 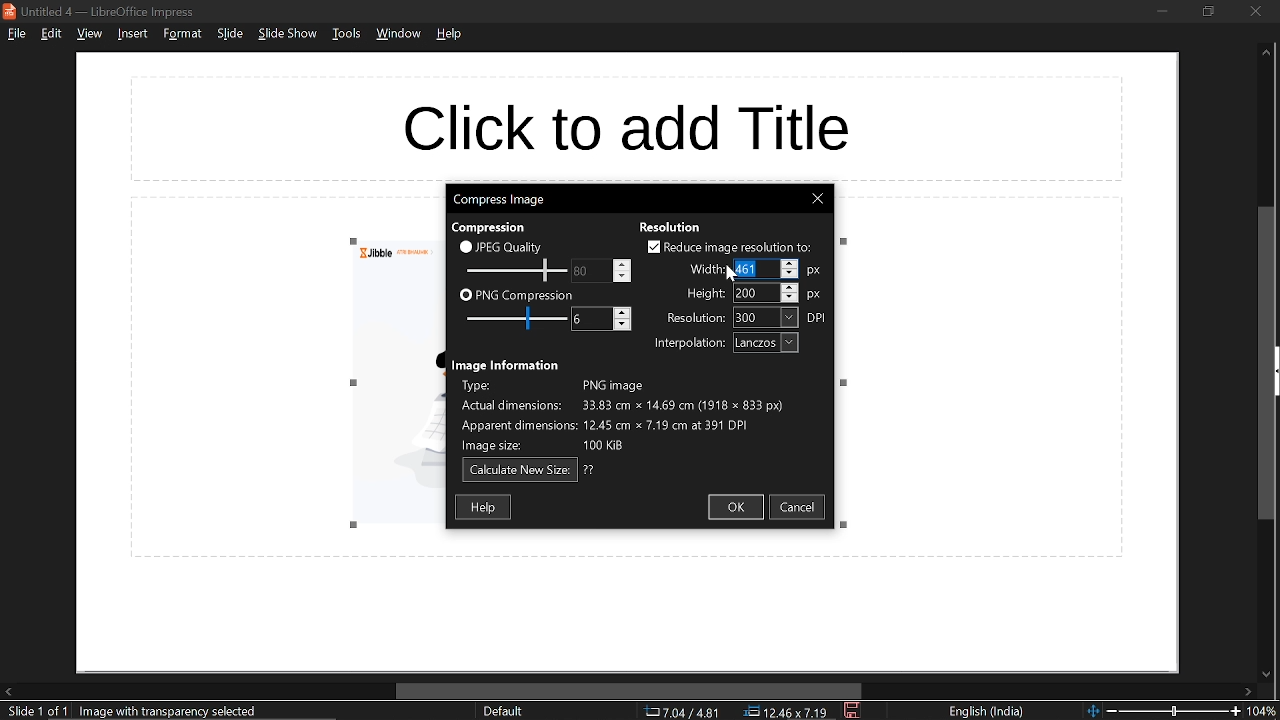 I want to click on change zoom, so click(x=1162, y=712).